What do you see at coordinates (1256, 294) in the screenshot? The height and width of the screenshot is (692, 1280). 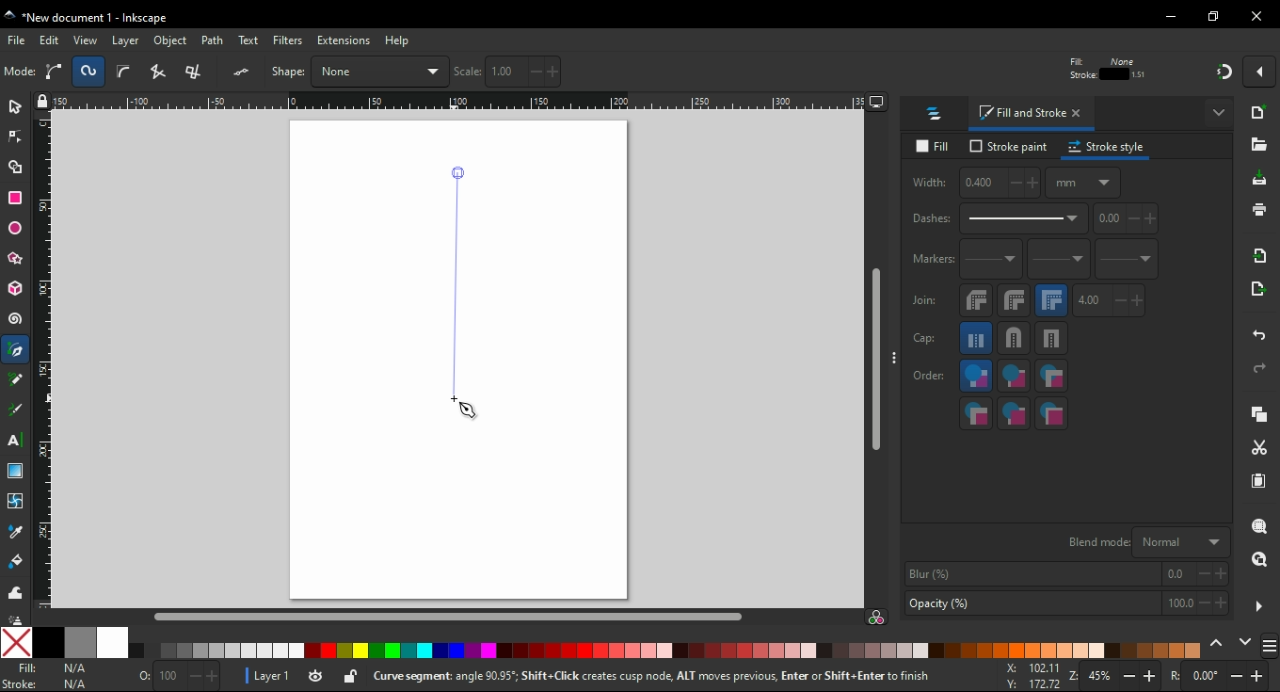 I see `open export` at bounding box center [1256, 294].